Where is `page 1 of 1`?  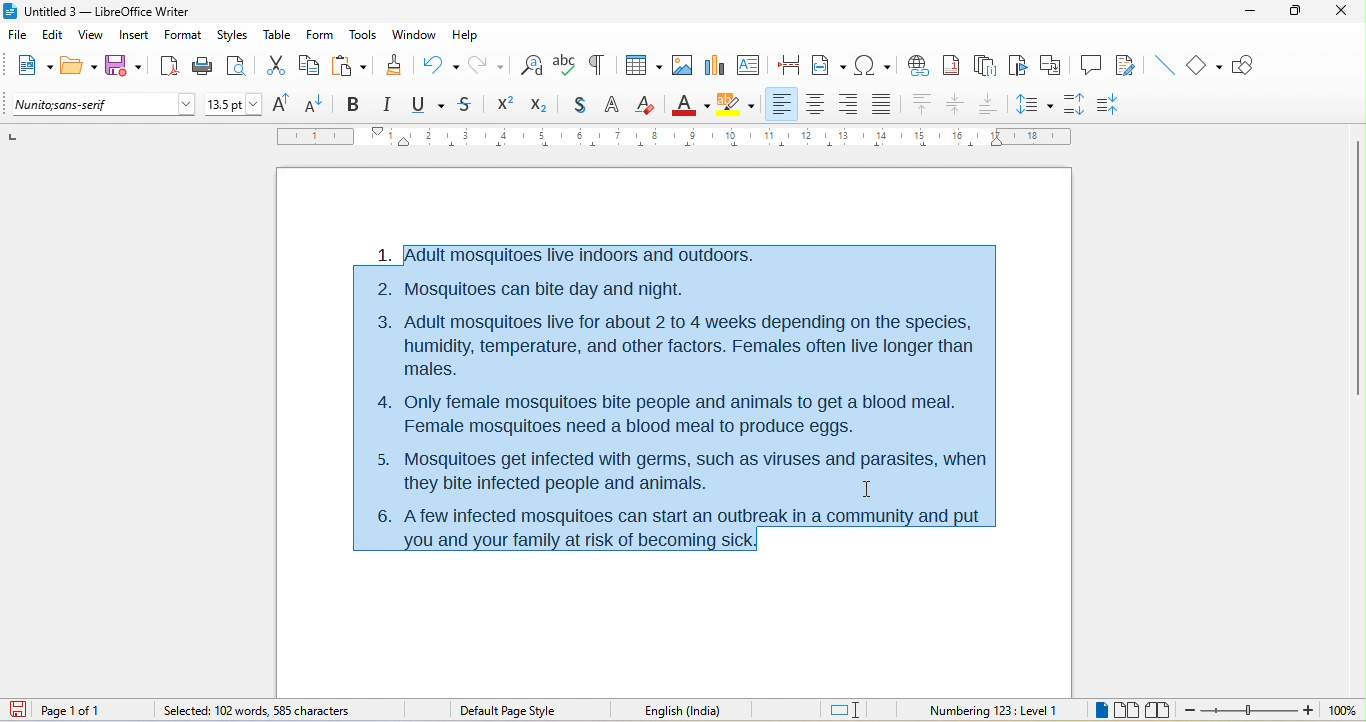
page 1 of 1 is located at coordinates (91, 710).